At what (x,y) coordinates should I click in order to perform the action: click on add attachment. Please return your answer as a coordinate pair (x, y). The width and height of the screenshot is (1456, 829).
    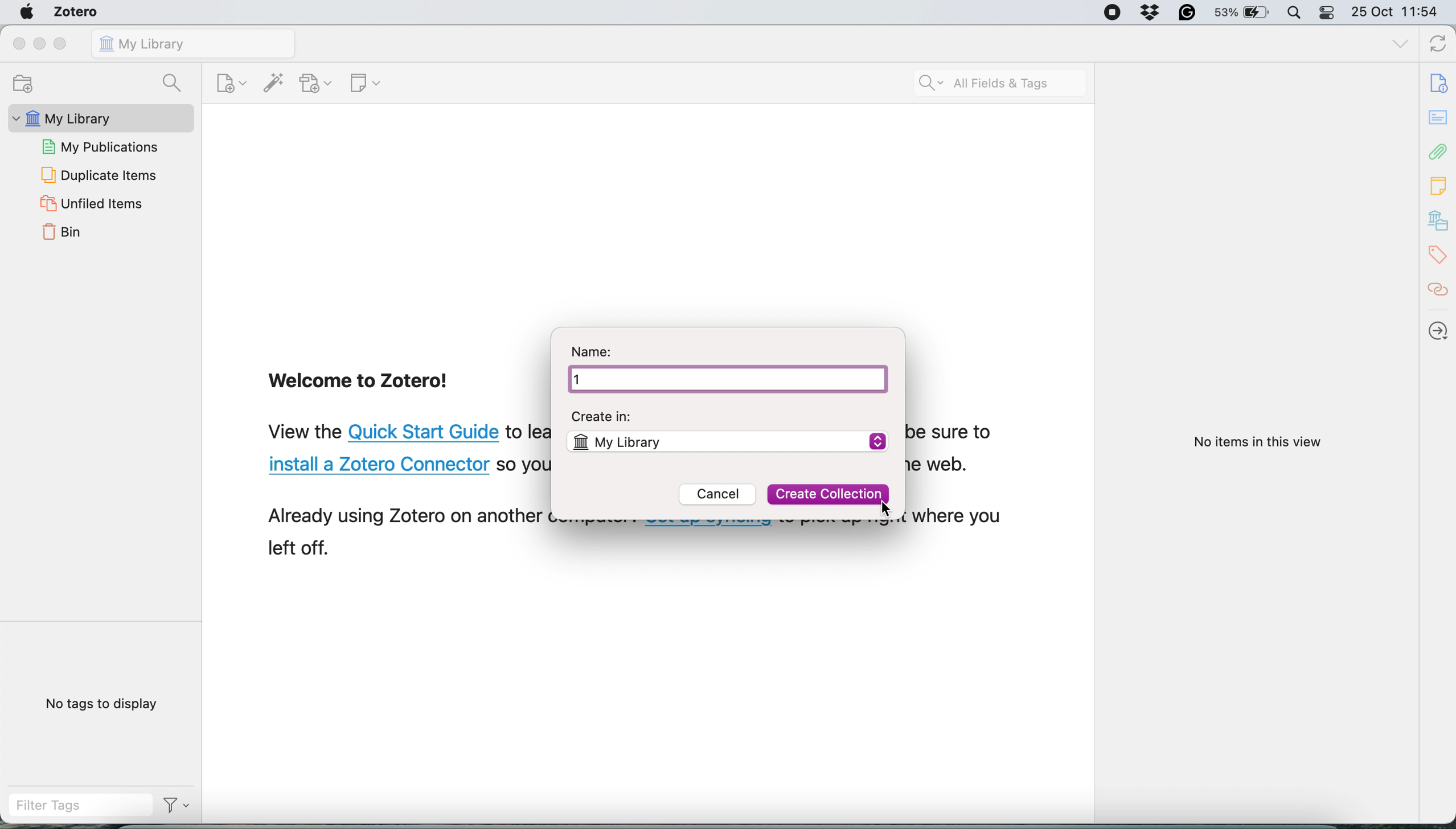
    Looking at the image, I should click on (315, 83).